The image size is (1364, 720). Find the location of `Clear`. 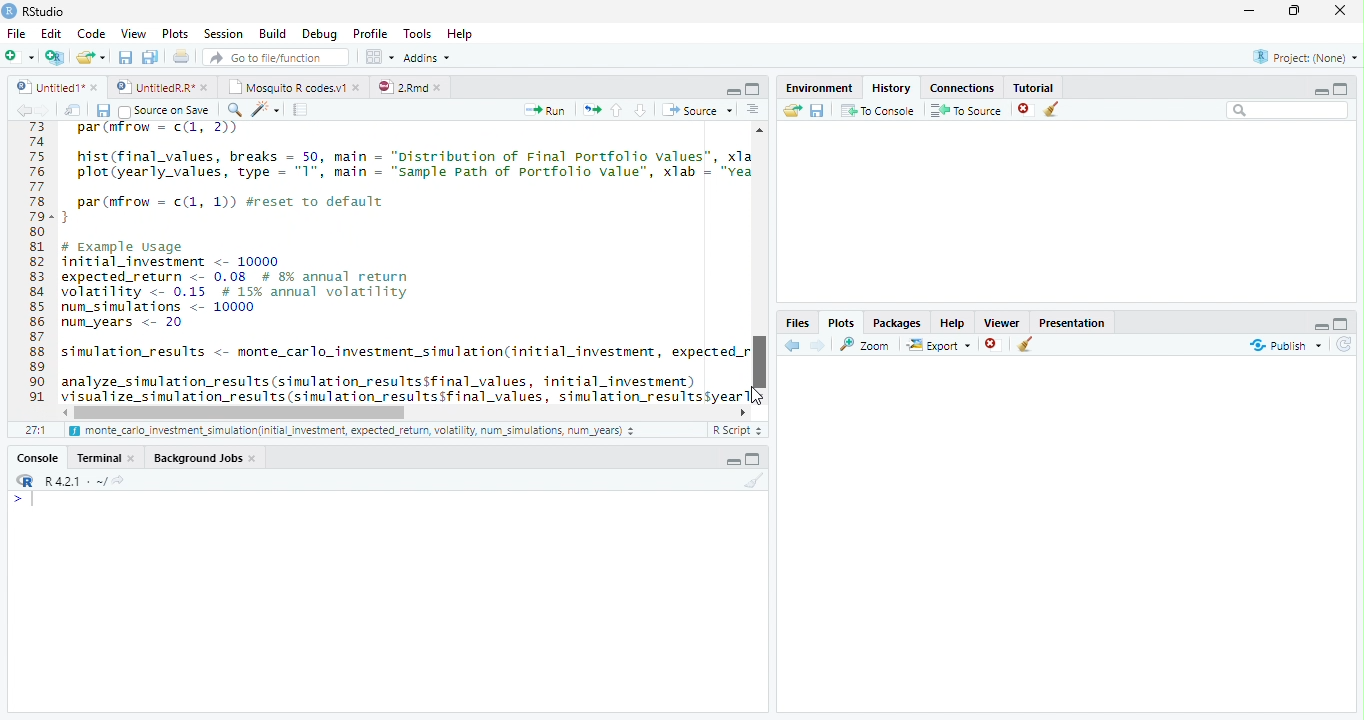

Clear is located at coordinates (1026, 346).